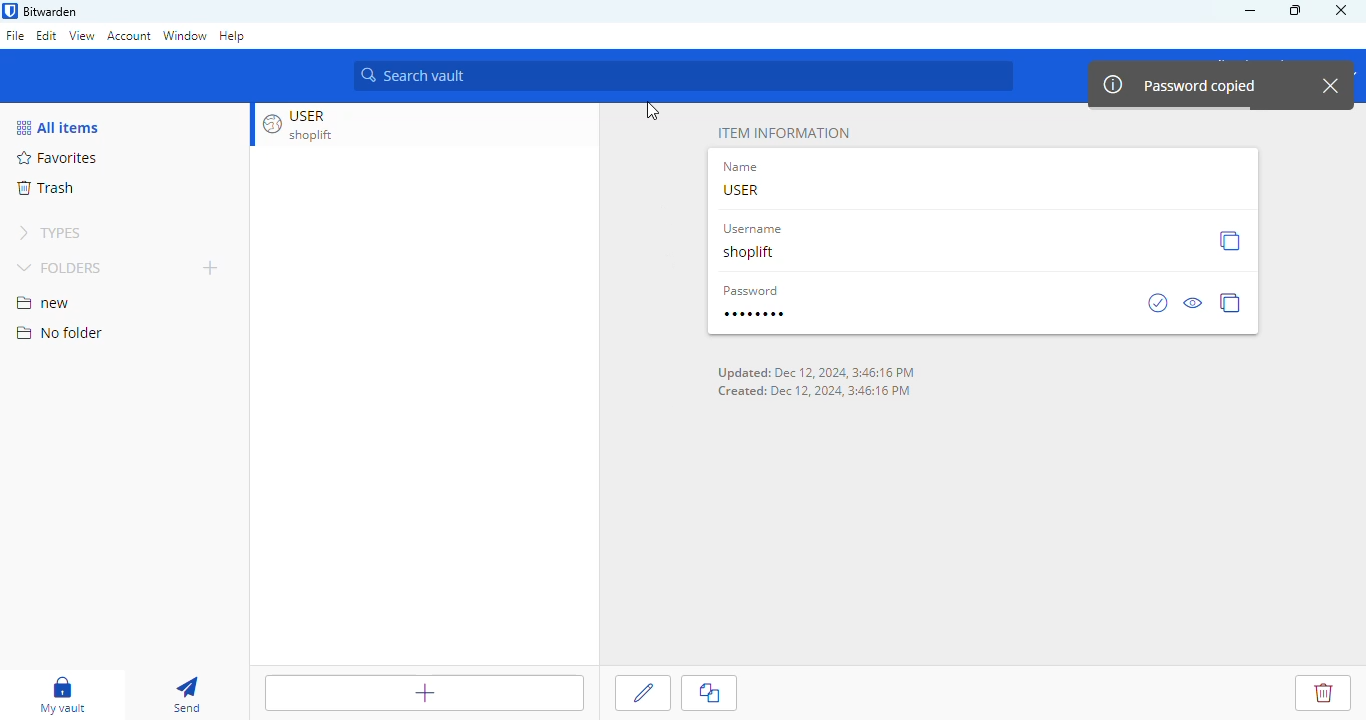 Image resolution: width=1366 pixels, height=720 pixels. I want to click on add item, so click(417, 694).